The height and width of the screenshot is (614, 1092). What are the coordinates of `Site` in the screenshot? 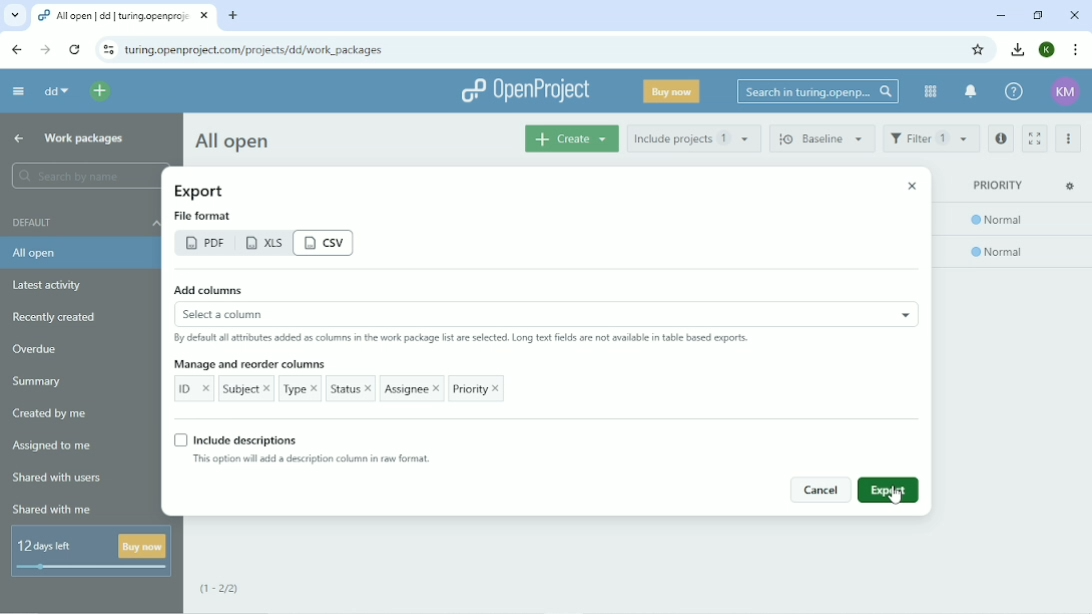 It's located at (255, 49).